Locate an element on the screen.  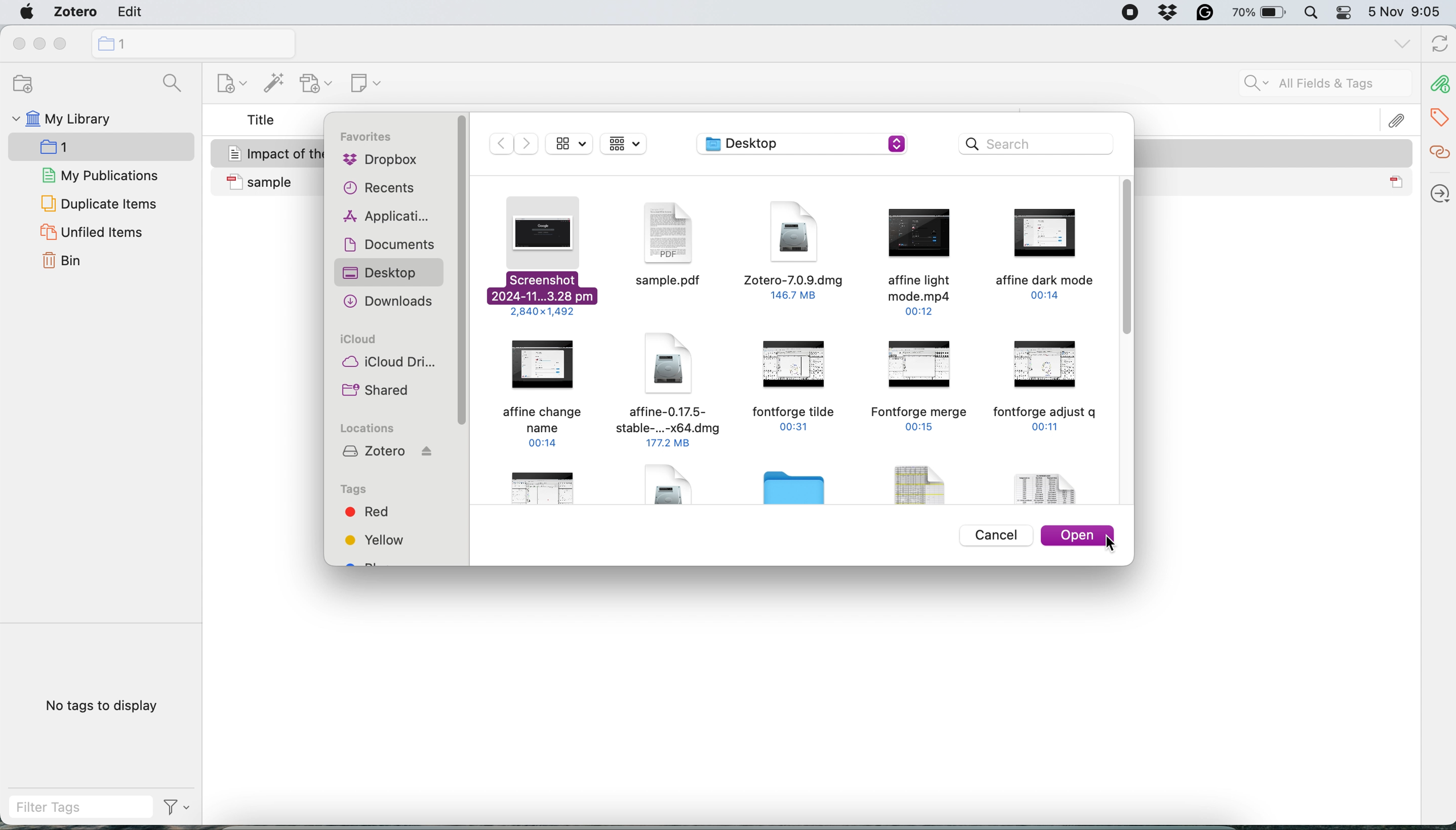
new collection is located at coordinates (192, 43).